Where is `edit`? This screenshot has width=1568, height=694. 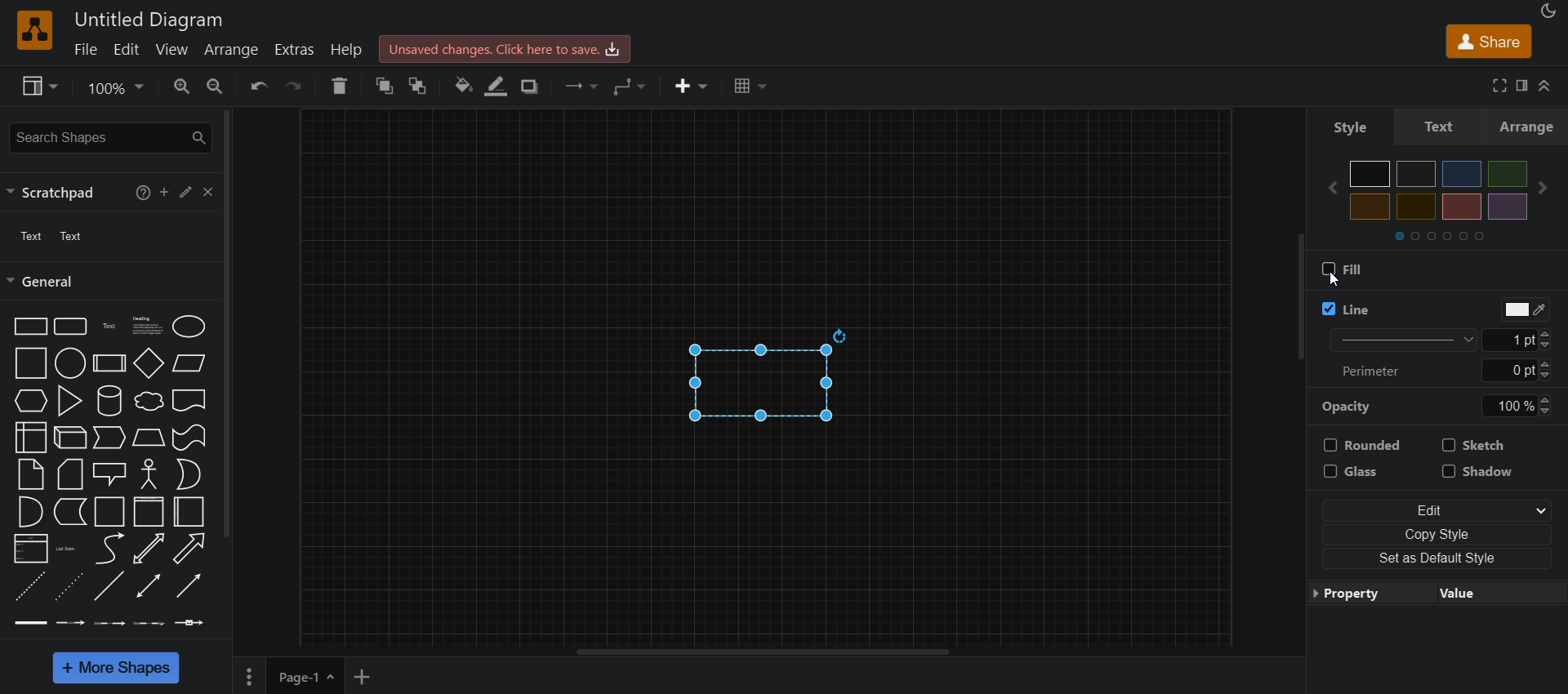
edit is located at coordinates (1441, 509).